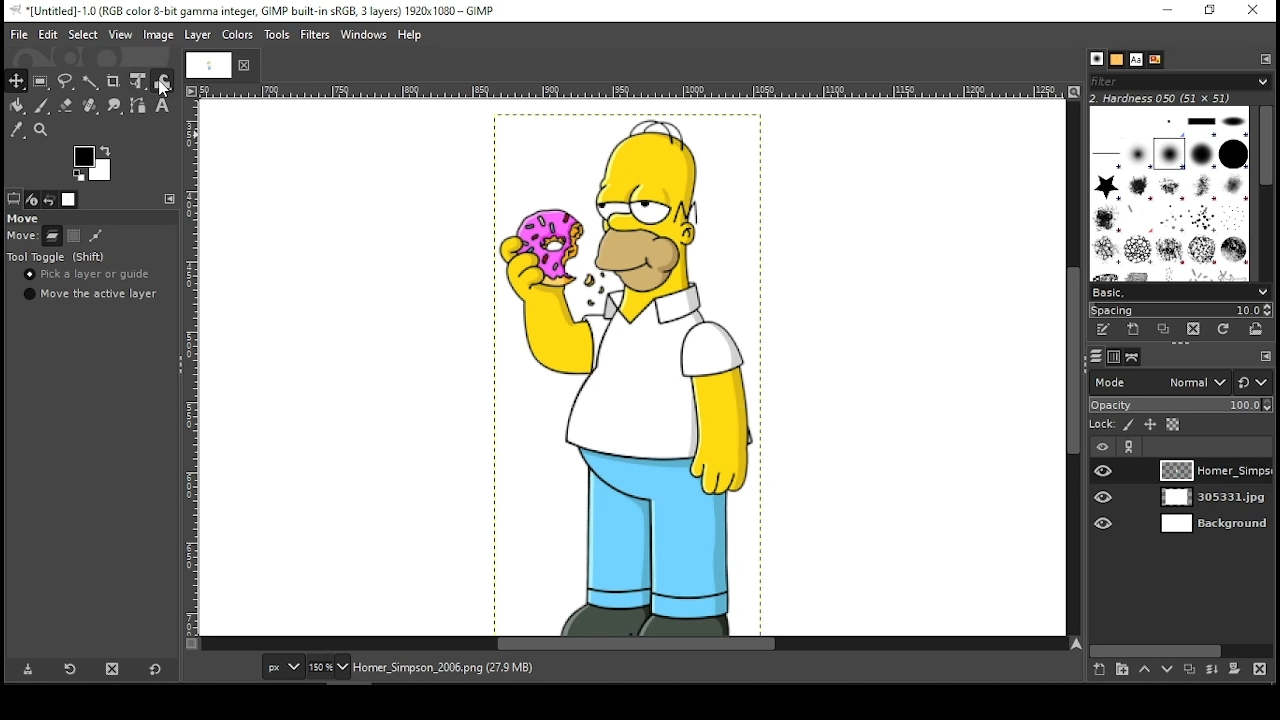 The height and width of the screenshot is (720, 1280). What do you see at coordinates (1180, 405) in the screenshot?
I see `opacity` at bounding box center [1180, 405].